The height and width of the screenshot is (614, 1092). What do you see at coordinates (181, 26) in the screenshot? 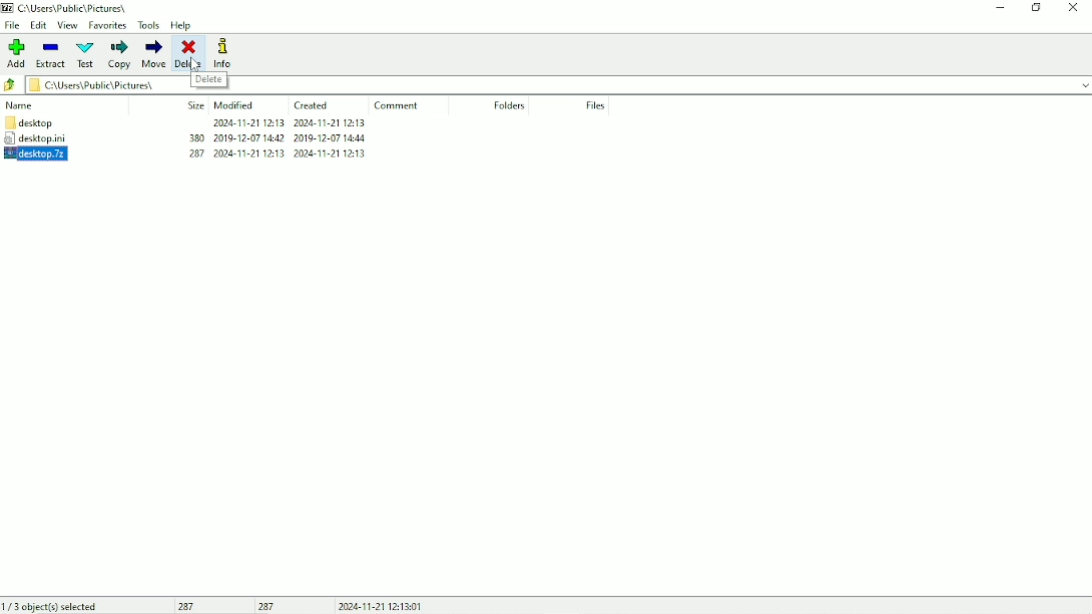
I see `Help` at bounding box center [181, 26].